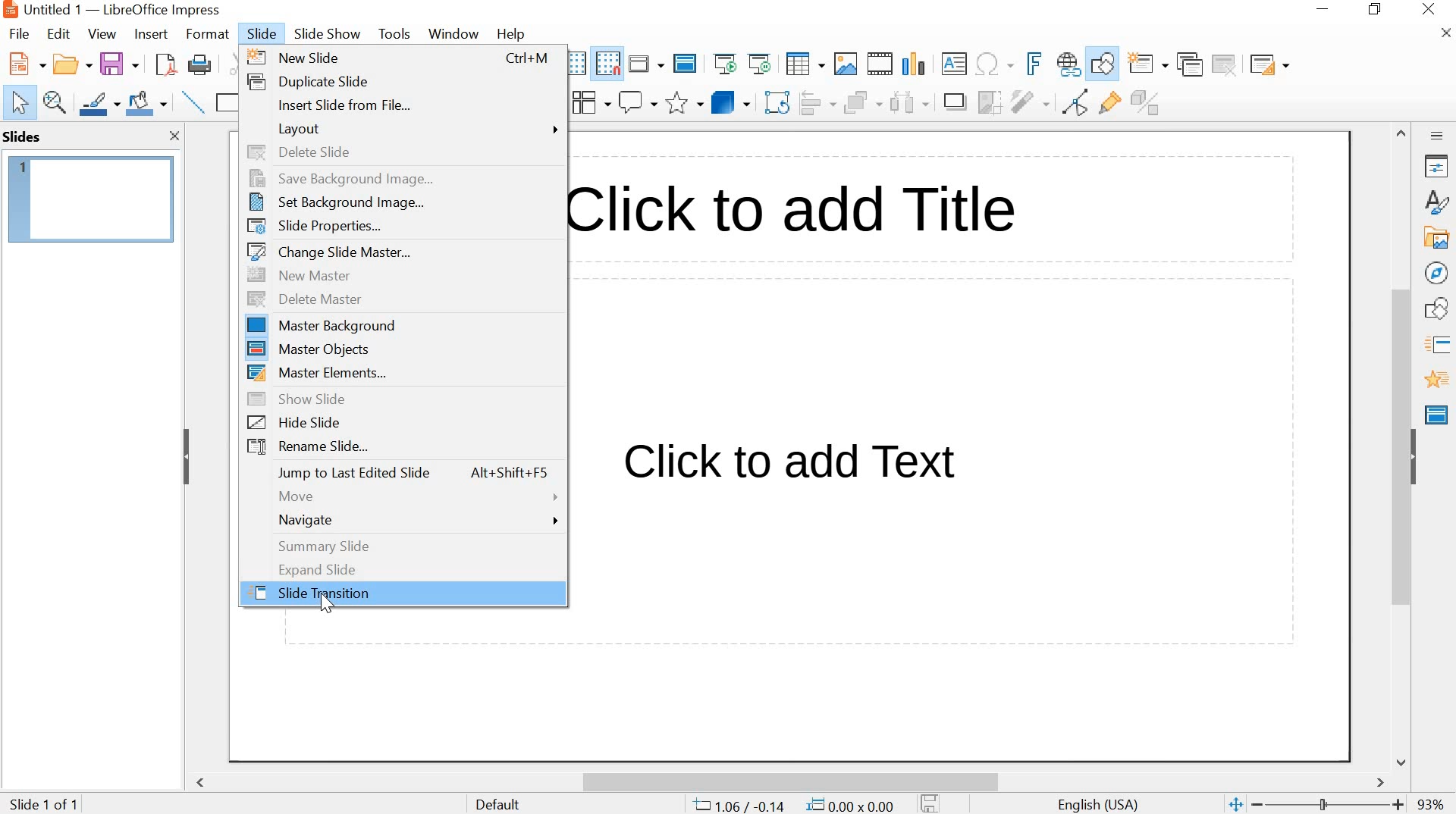  I want to click on callout shapes, so click(637, 102).